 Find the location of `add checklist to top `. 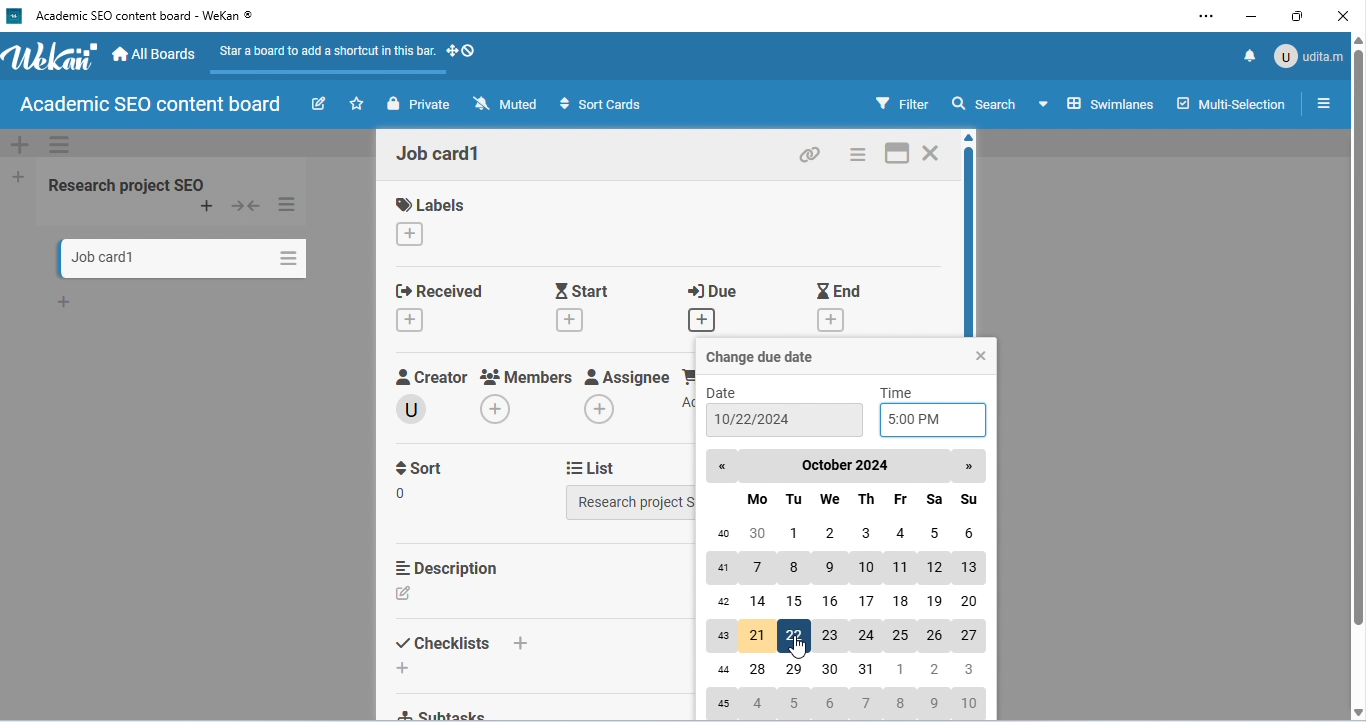

add checklist to top  is located at coordinates (528, 643).